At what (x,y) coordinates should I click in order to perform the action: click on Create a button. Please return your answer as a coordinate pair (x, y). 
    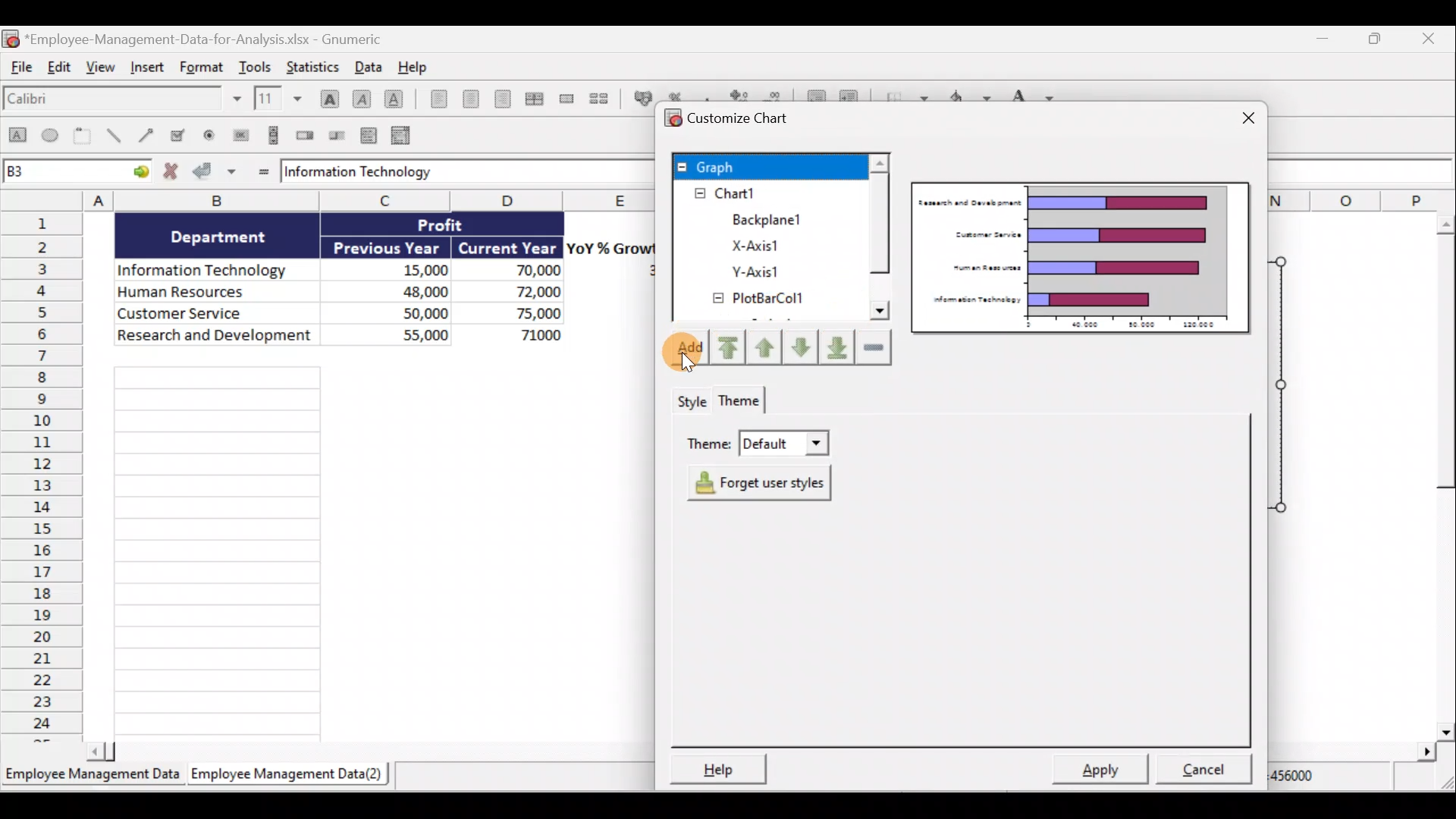
    Looking at the image, I should click on (238, 136).